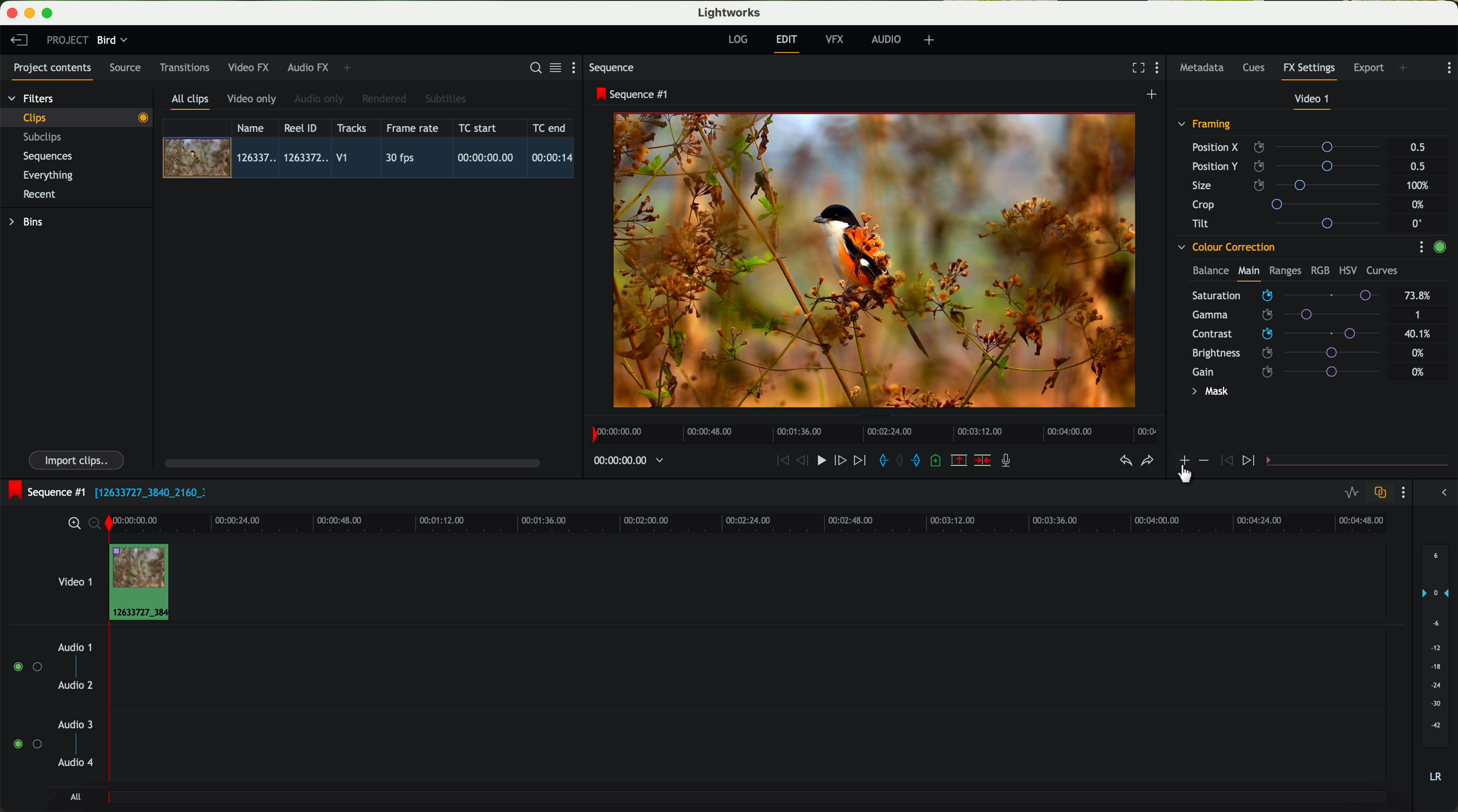 The width and height of the screenshot is (1458, 812). Describe the element at coordinates (550, 127) in the screenshot. I see `TC end` at that location.